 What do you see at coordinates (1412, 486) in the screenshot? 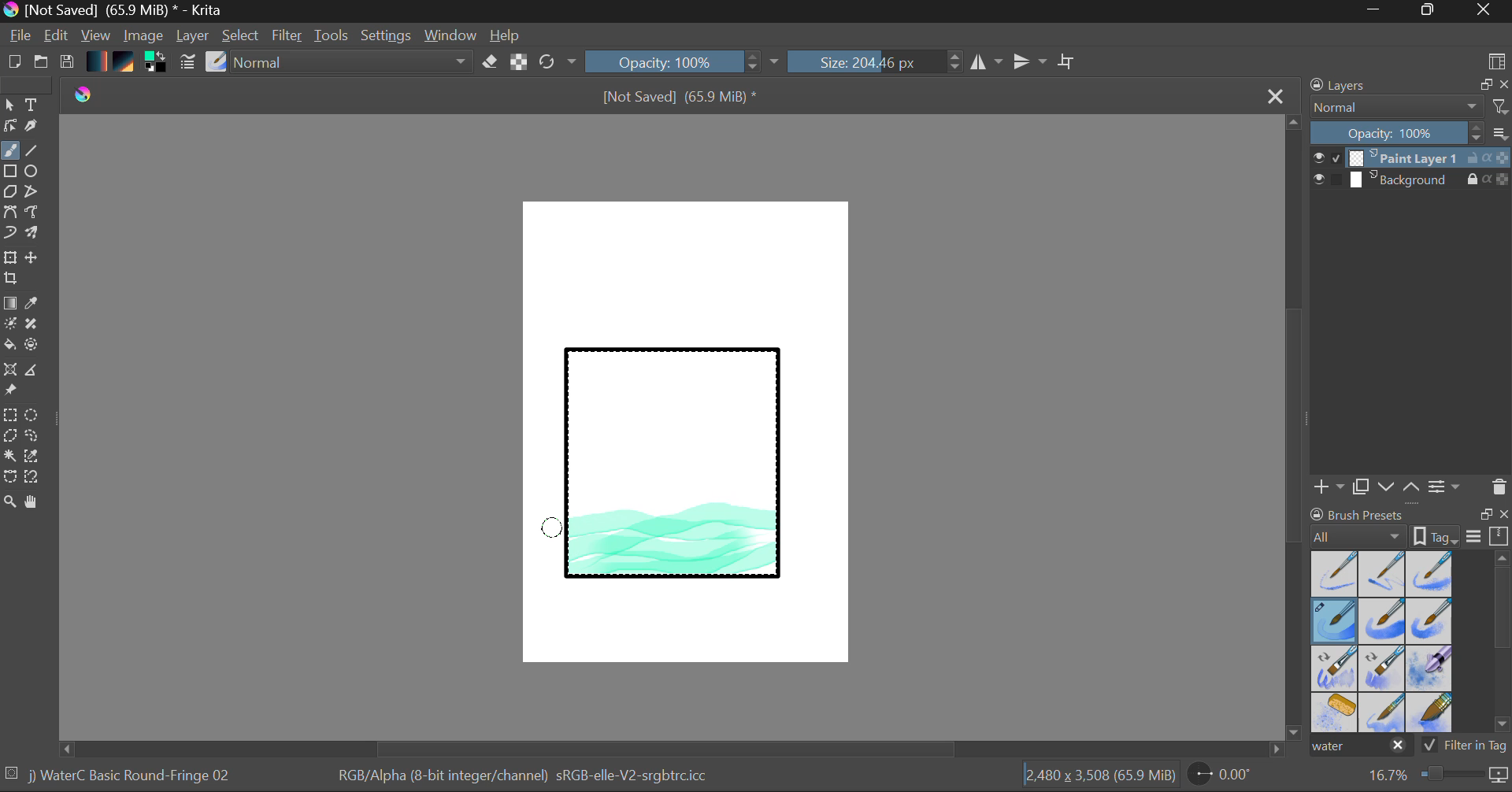
I see `Move Layer Up` at bounding box center [1412, 486].